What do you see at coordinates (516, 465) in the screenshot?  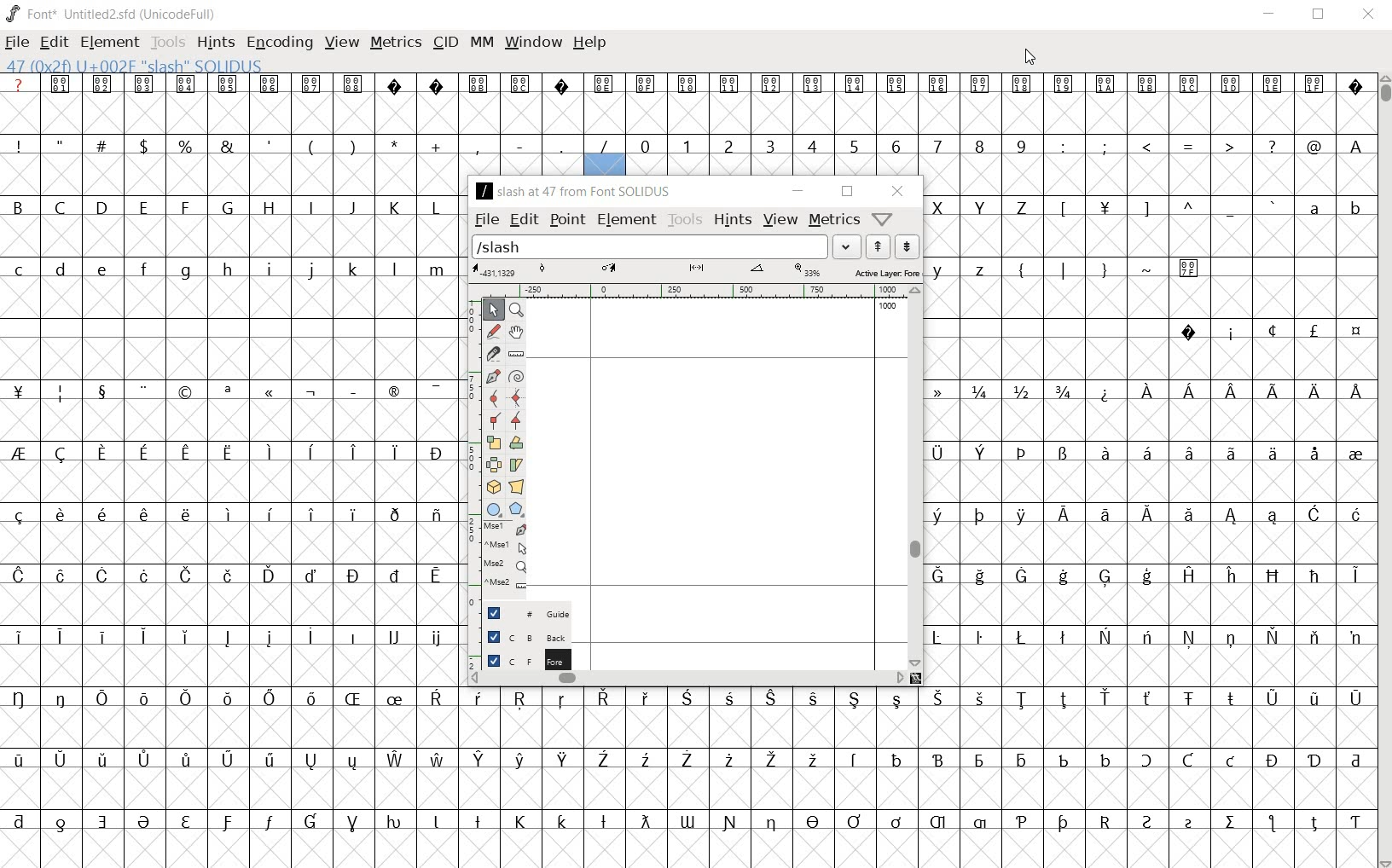 I see `skew the selection` at bounding box center [516, 465].